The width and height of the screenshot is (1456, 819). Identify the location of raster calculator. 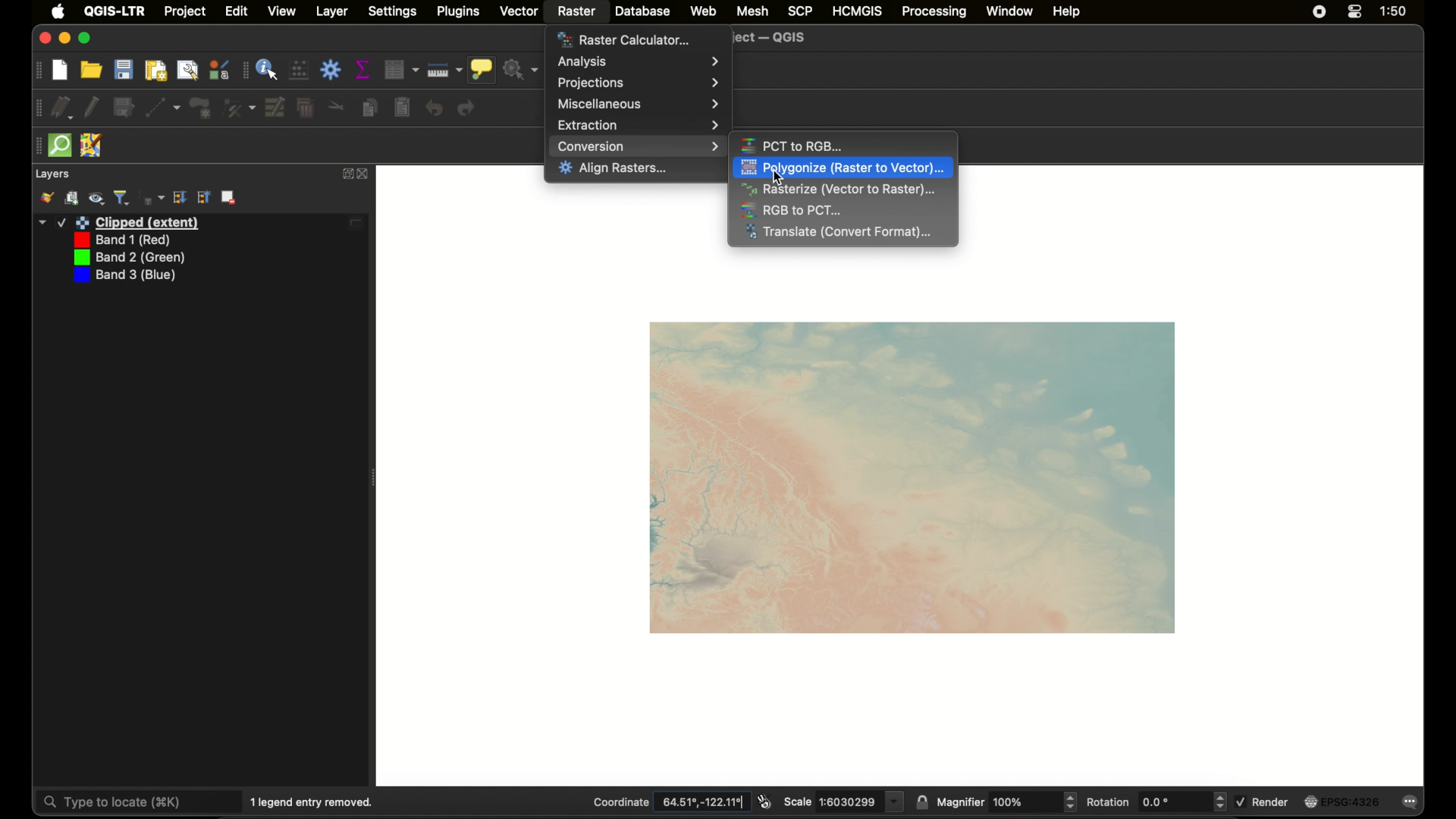
(623, 39).